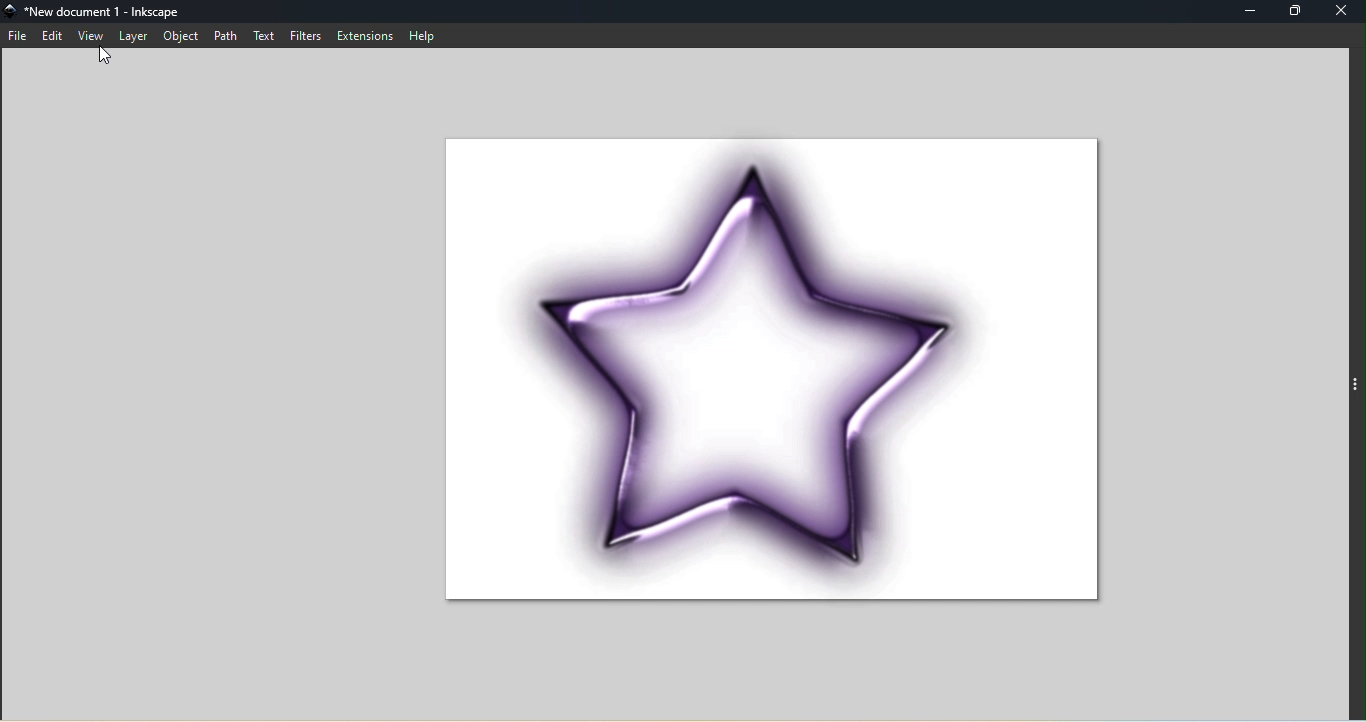 The height and width of the screenshot is (722, 1366). What do you see at coordinates (1244, 11) in the screenshot?
I see `Minimize` at bounding box center [1244, 11].